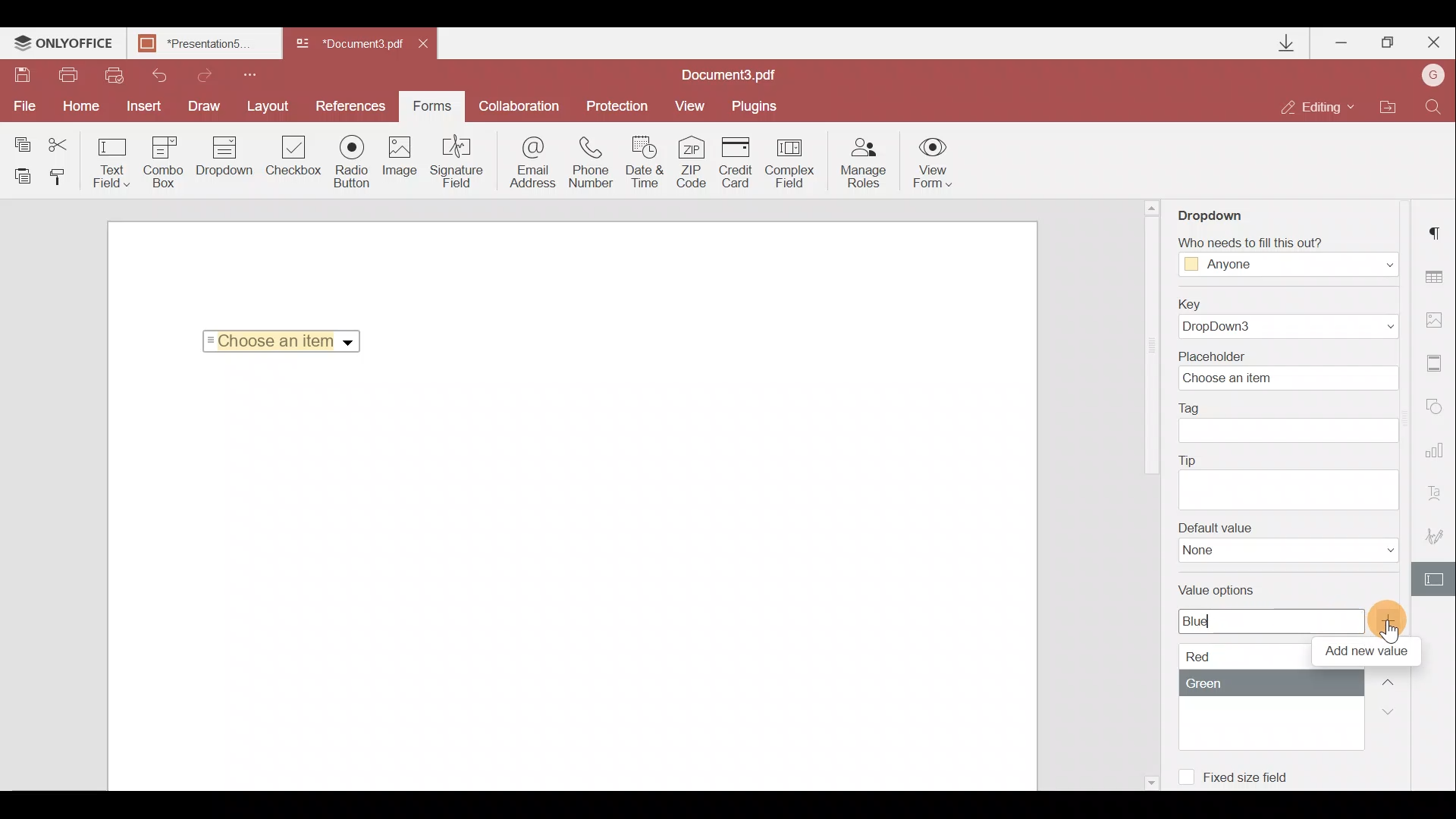  What do you see at coordinates (1391, 679) in the screenshot?
I see `Up` at bounding box center [1391, 679].